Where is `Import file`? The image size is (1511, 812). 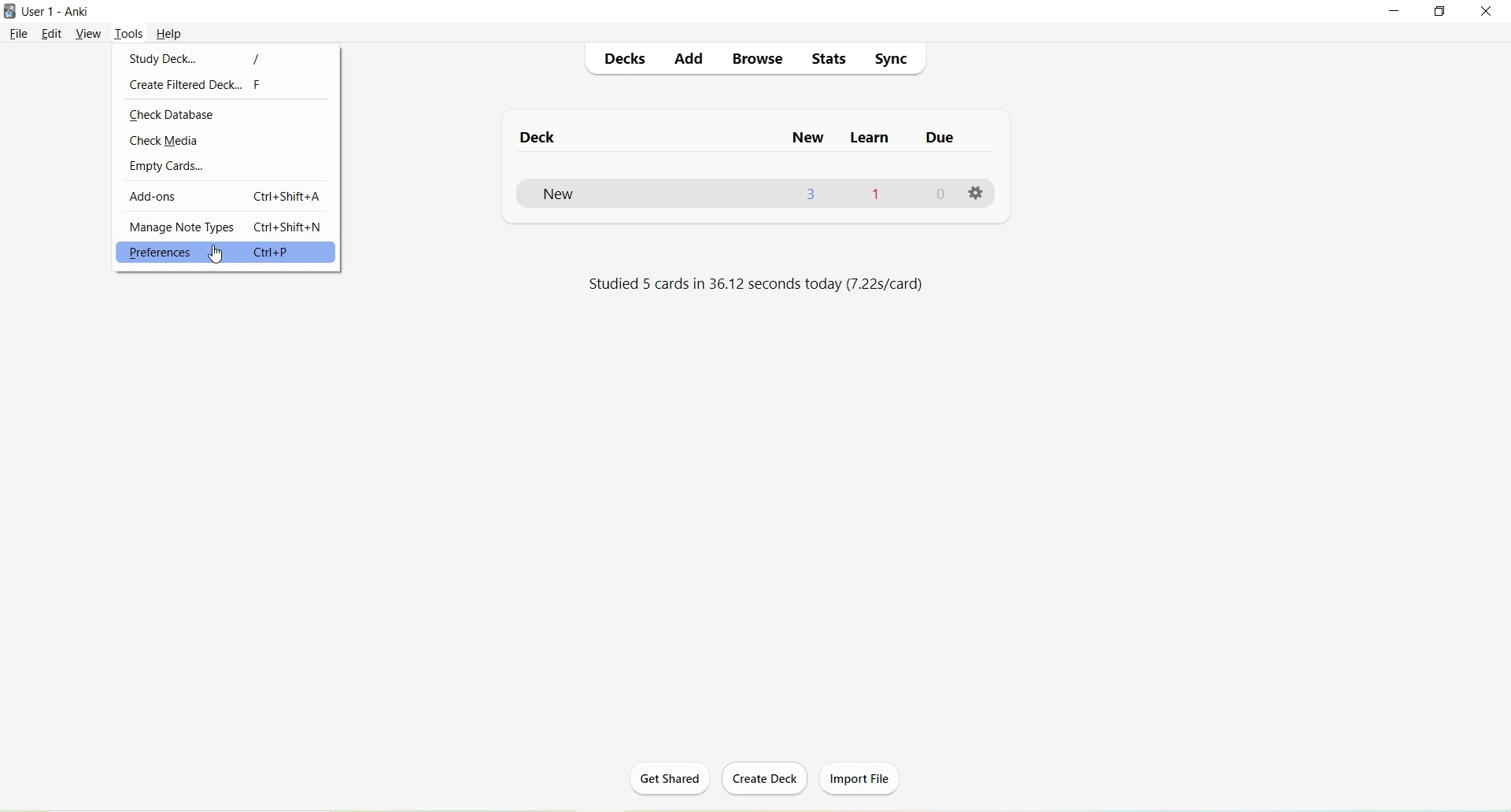
Import file is located at coordinates (863, 776).